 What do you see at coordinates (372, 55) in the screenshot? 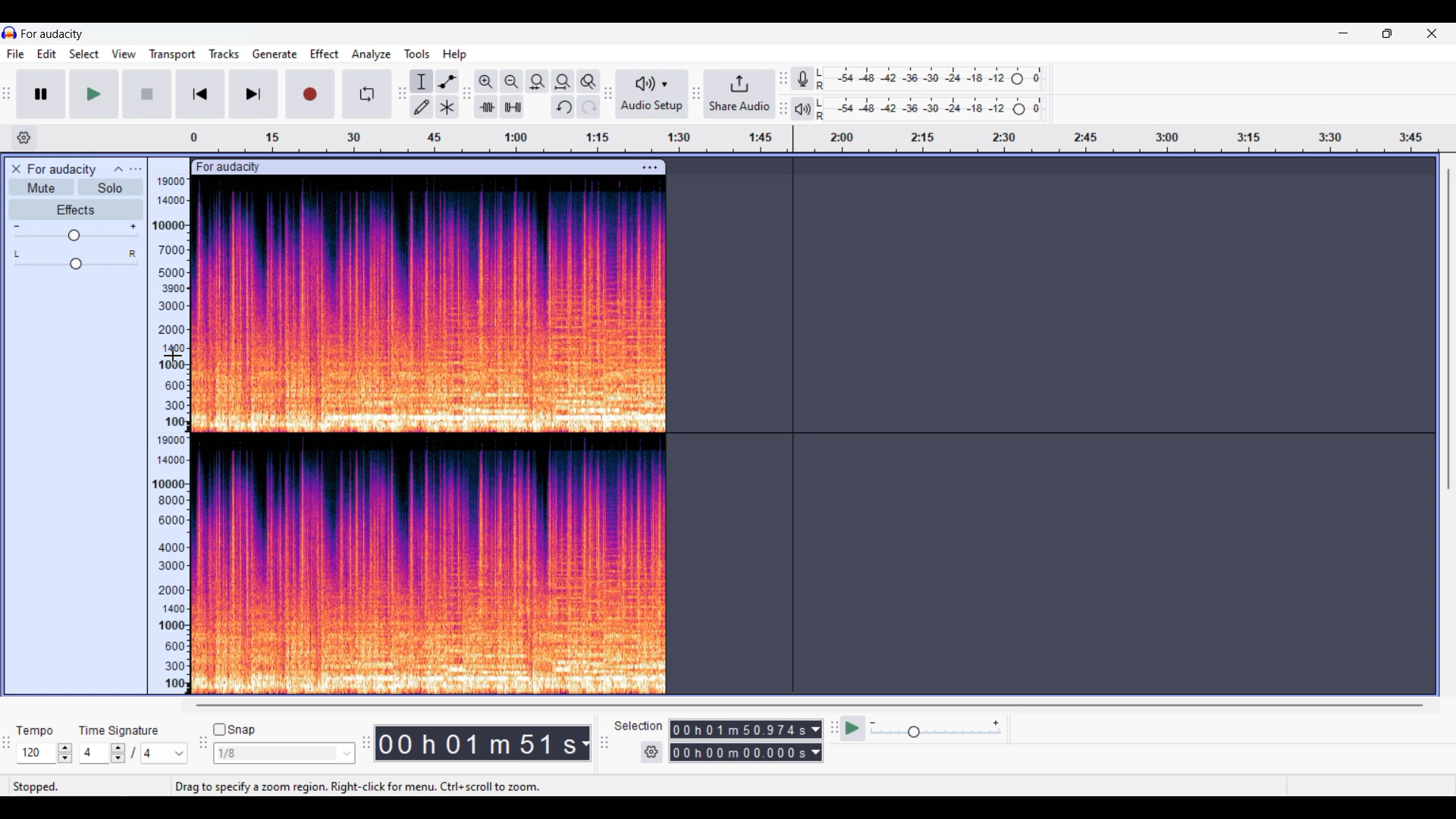
I see `Analyze menu` at bounding box center [372, 55].